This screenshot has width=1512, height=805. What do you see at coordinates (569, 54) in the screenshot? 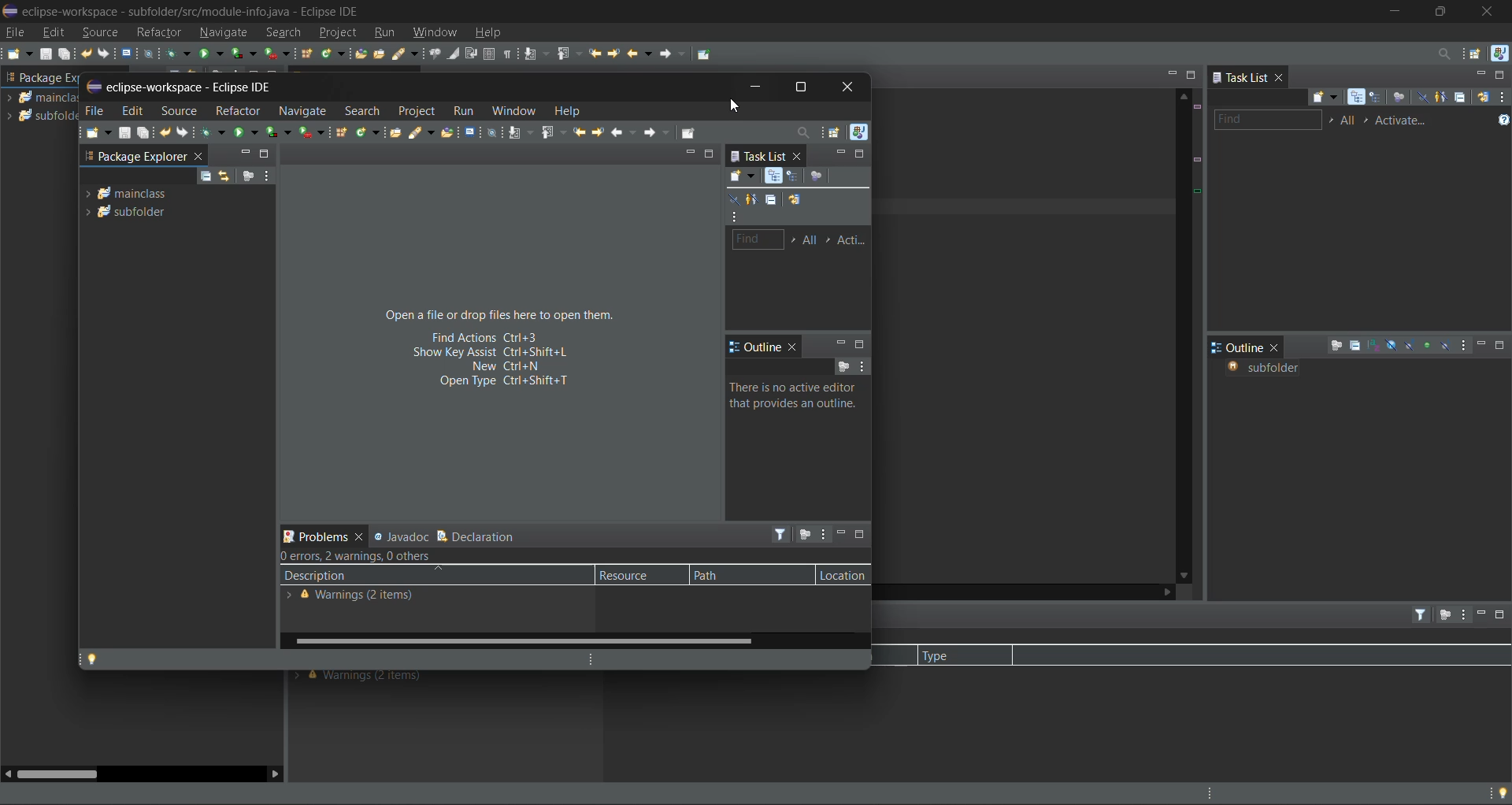
I see `previous annotation` at bounding box center [569, 54].